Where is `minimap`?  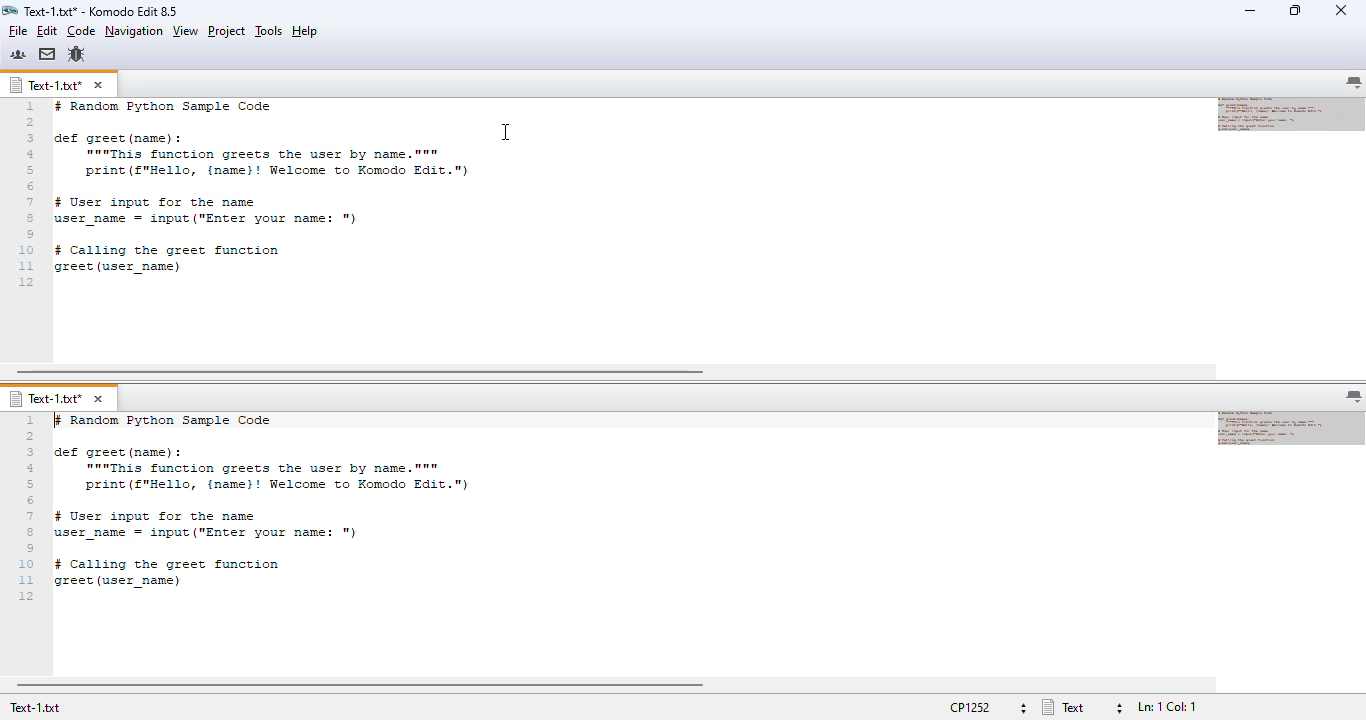 minimap is located at coordinates (1291, 428).